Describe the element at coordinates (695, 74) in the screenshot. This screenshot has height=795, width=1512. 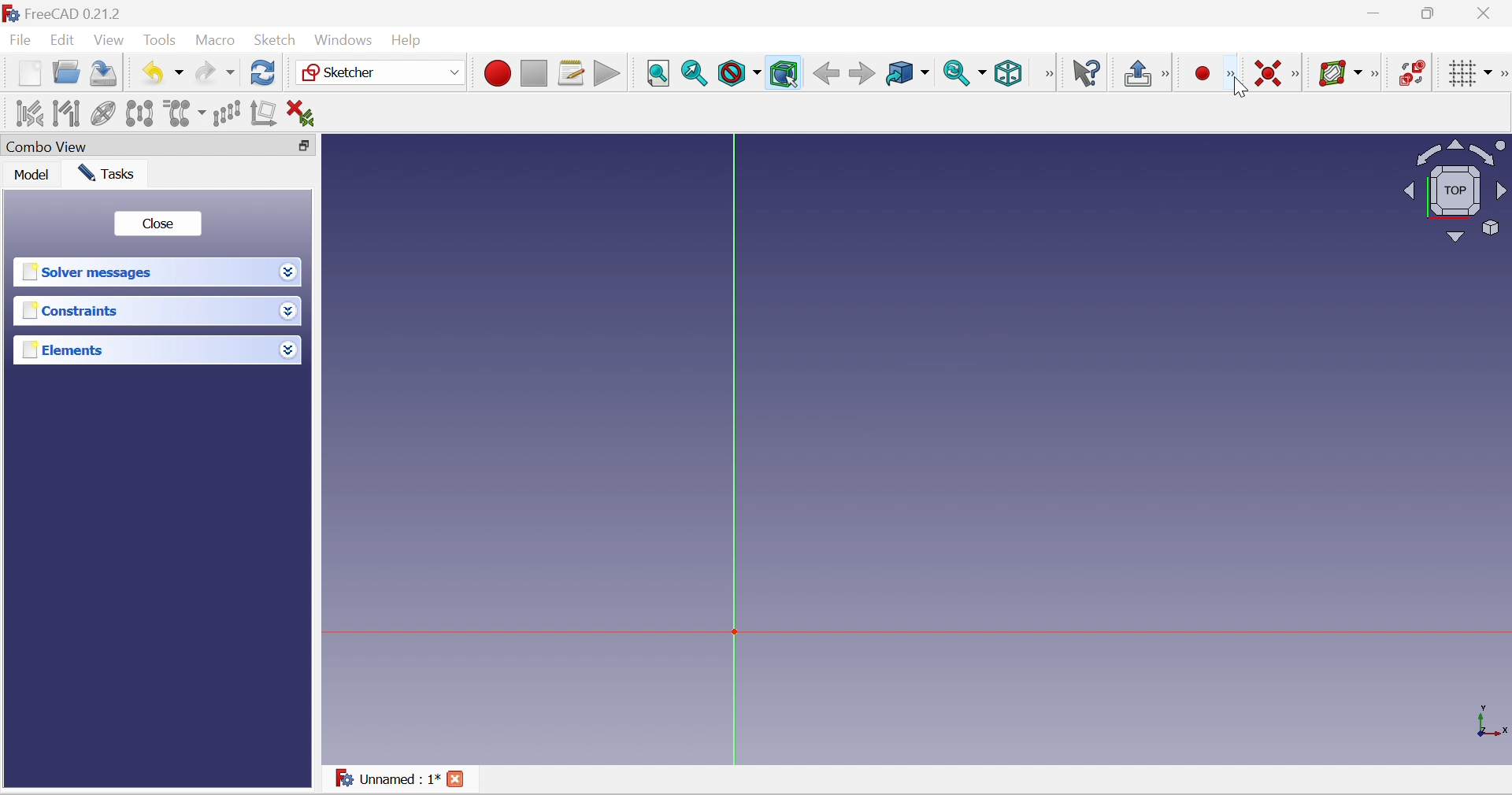
I see `Fit selection` at that location.